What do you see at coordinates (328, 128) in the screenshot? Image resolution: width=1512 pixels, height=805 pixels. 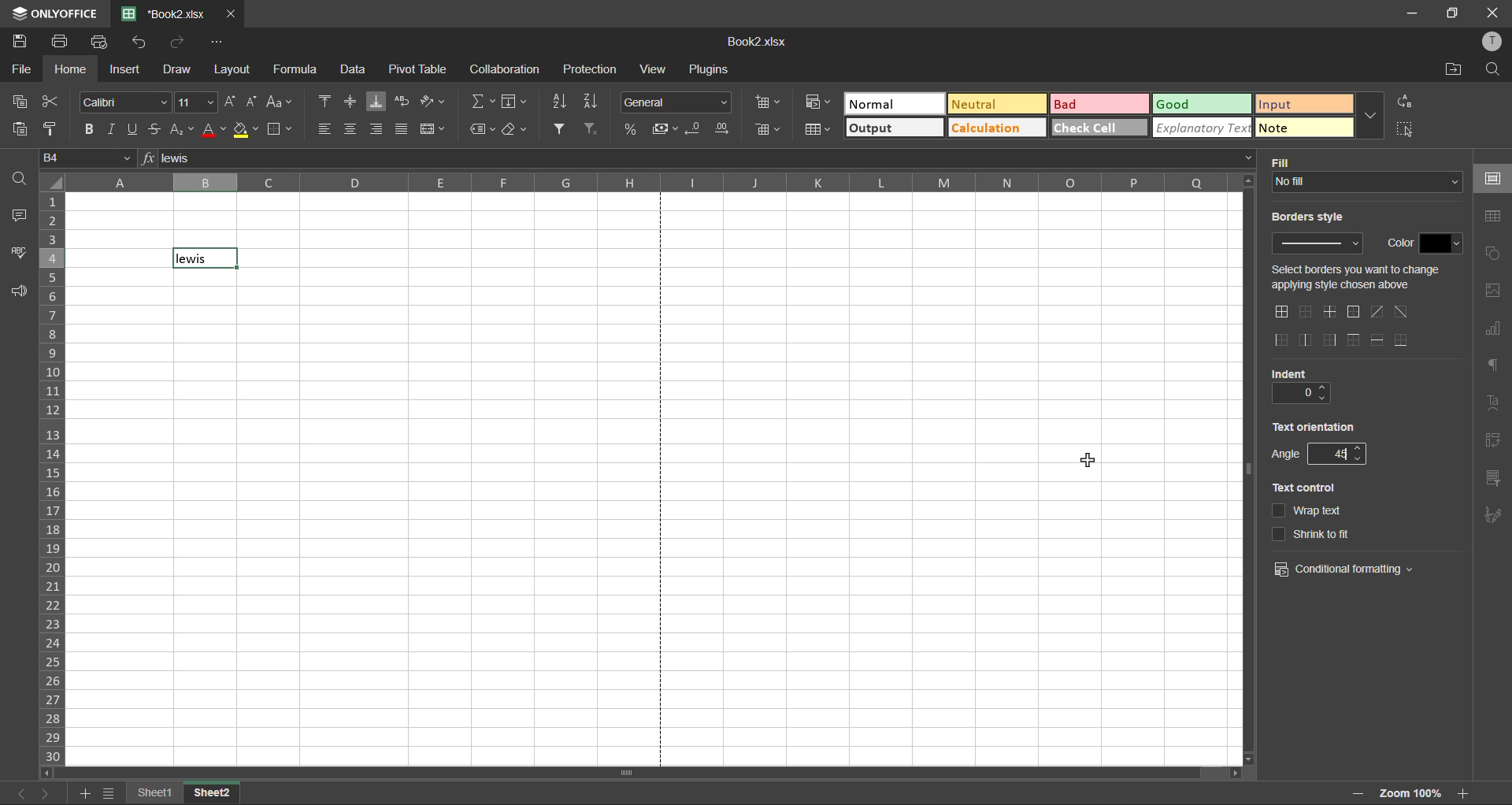 I see `align left` at bounding box center [328, 128].